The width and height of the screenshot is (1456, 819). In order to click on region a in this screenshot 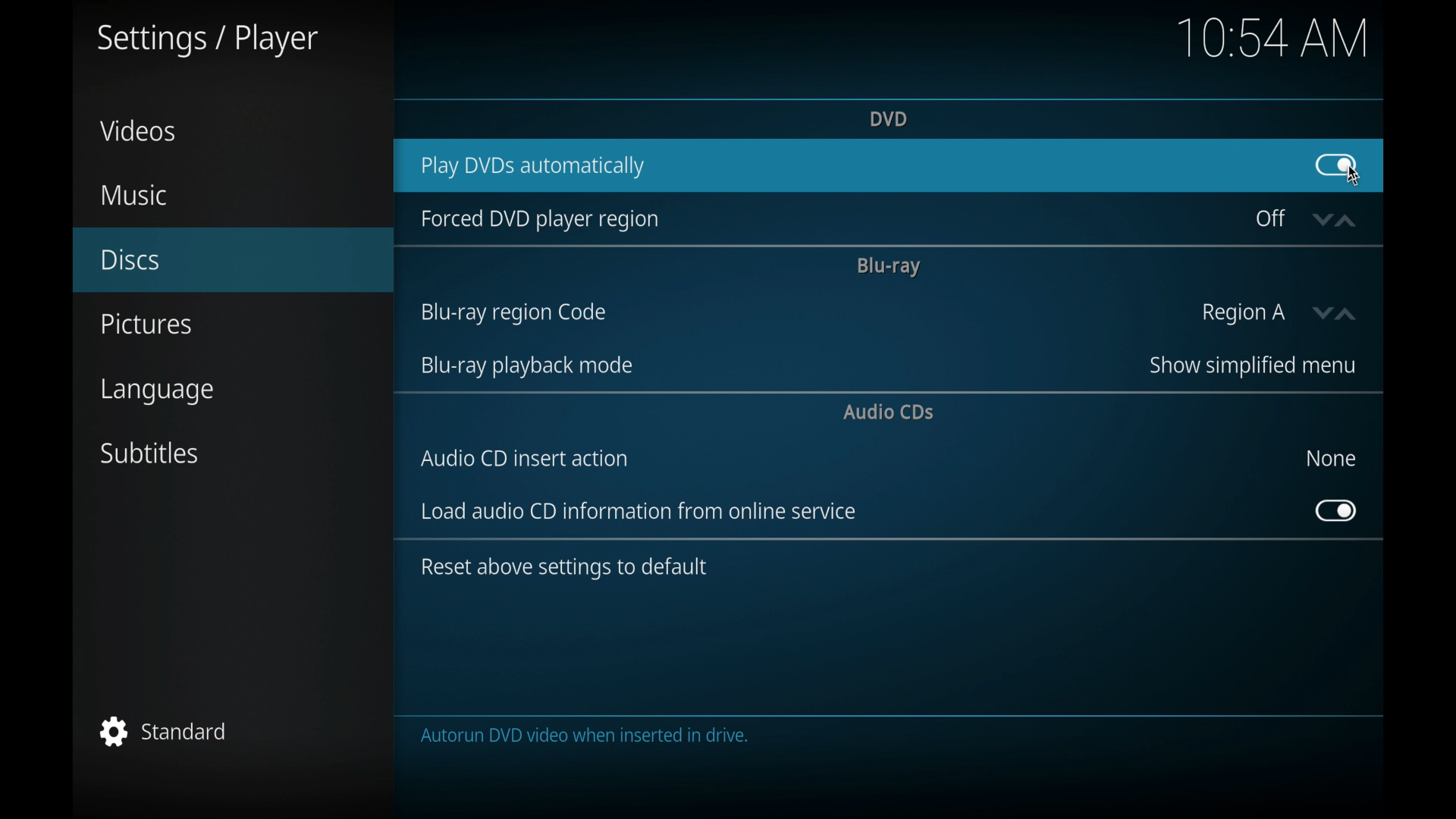, I will do `click(1244, 314)`.